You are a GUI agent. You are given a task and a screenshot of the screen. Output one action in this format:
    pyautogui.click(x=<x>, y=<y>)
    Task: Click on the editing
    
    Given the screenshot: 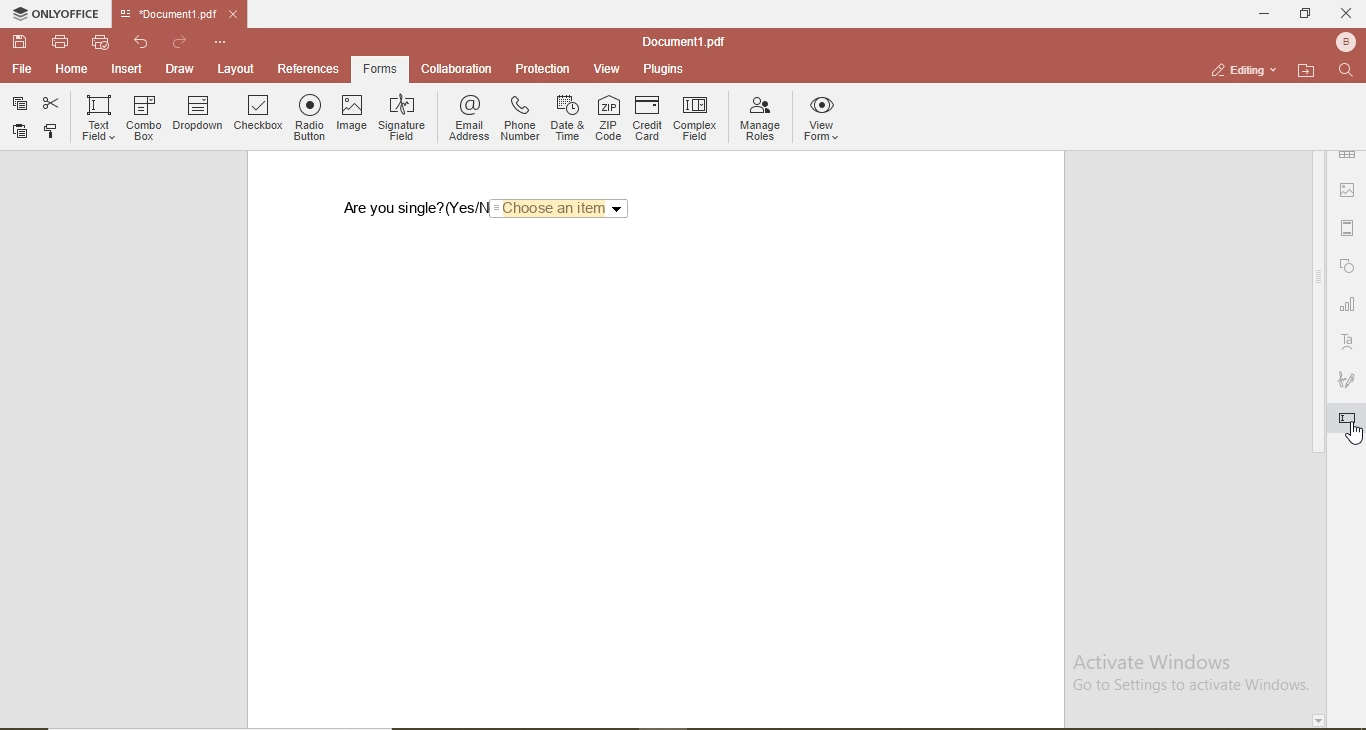 What is the action you would take?
    pyautogui.click(x=1246, y=68)
    